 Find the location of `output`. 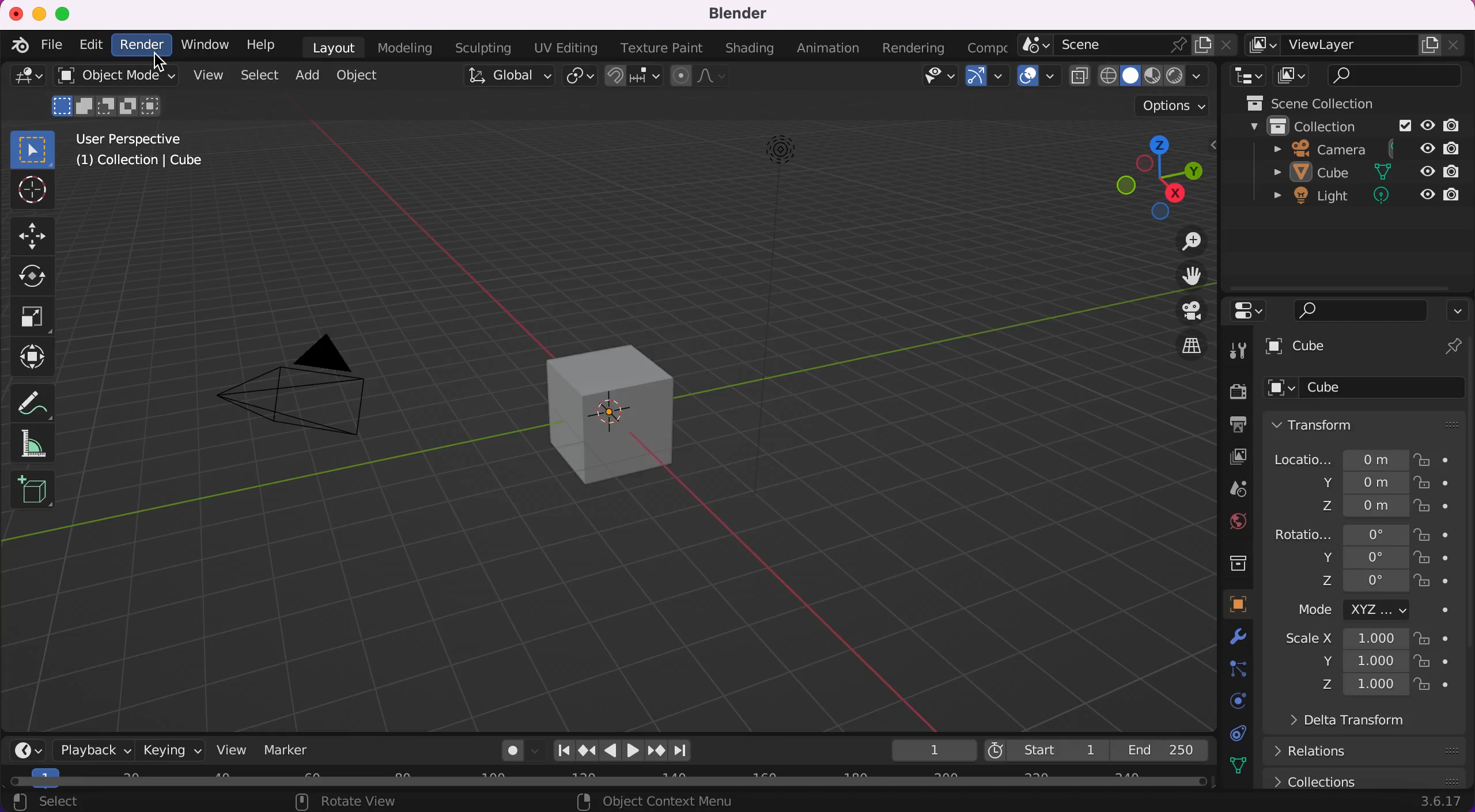

output is located at coordinates (1228, 424).